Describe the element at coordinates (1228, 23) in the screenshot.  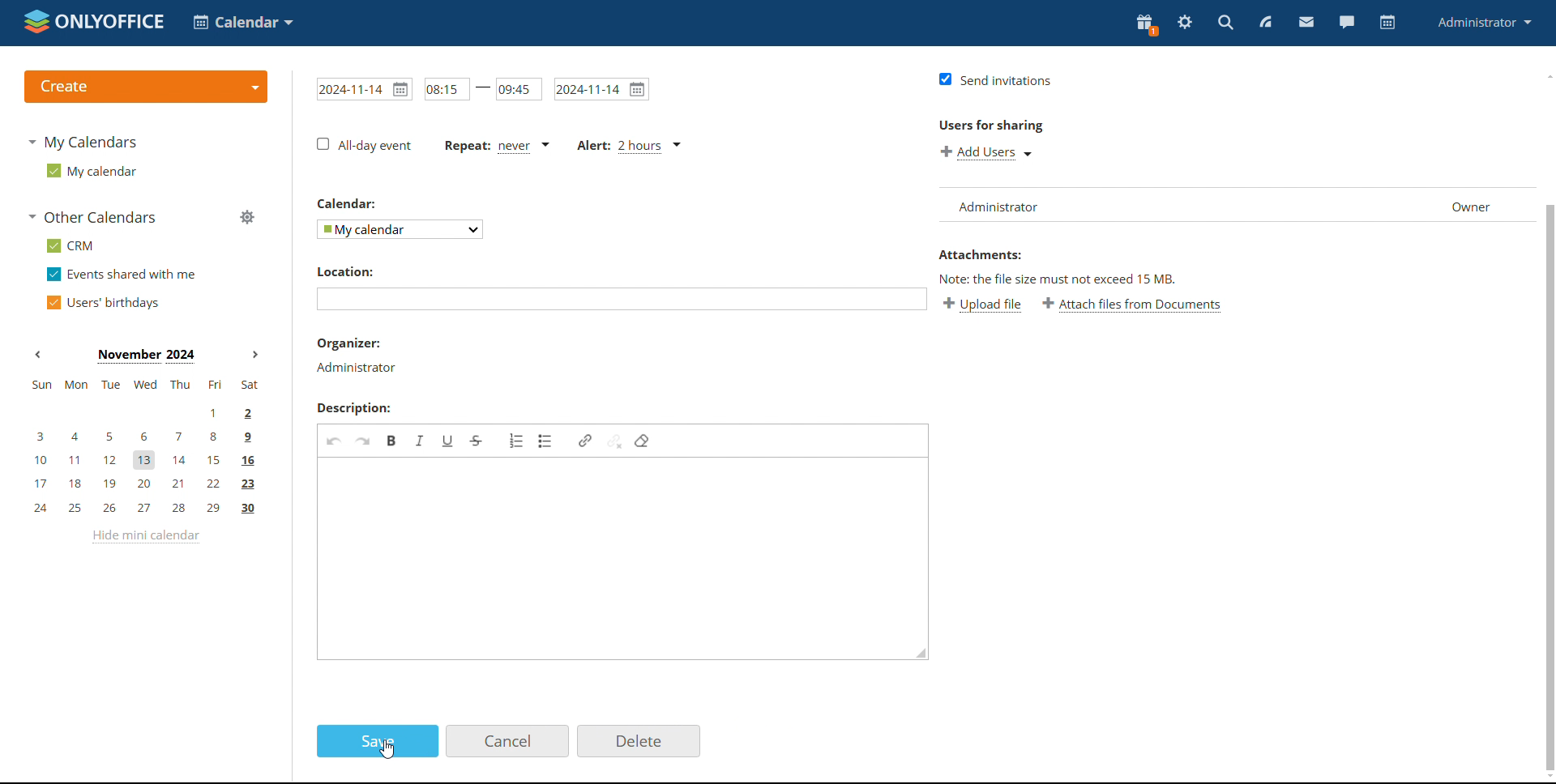
I see `search` at that location.